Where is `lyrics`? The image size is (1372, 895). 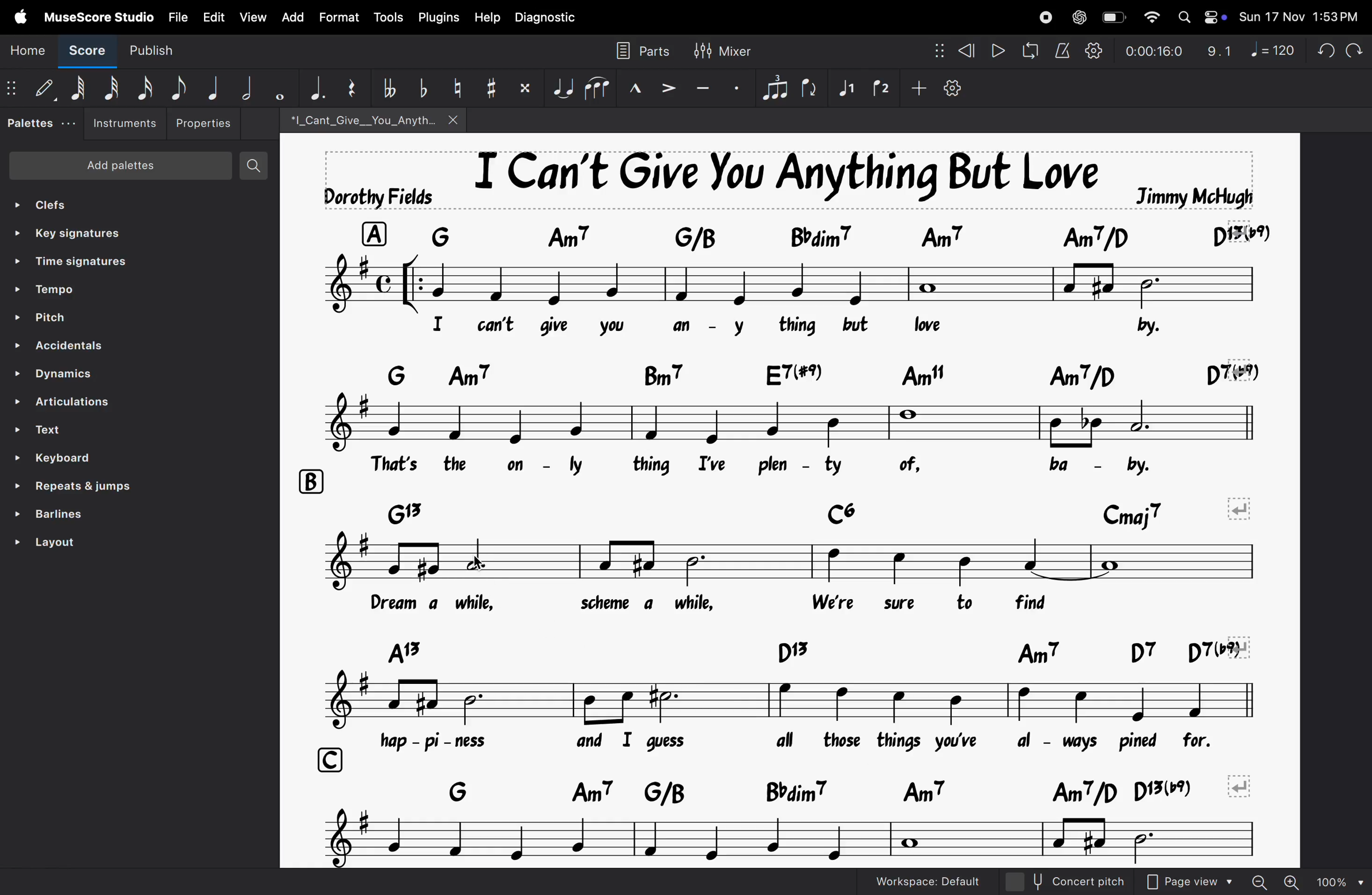
lyrics is located at coordinates (770, 329).